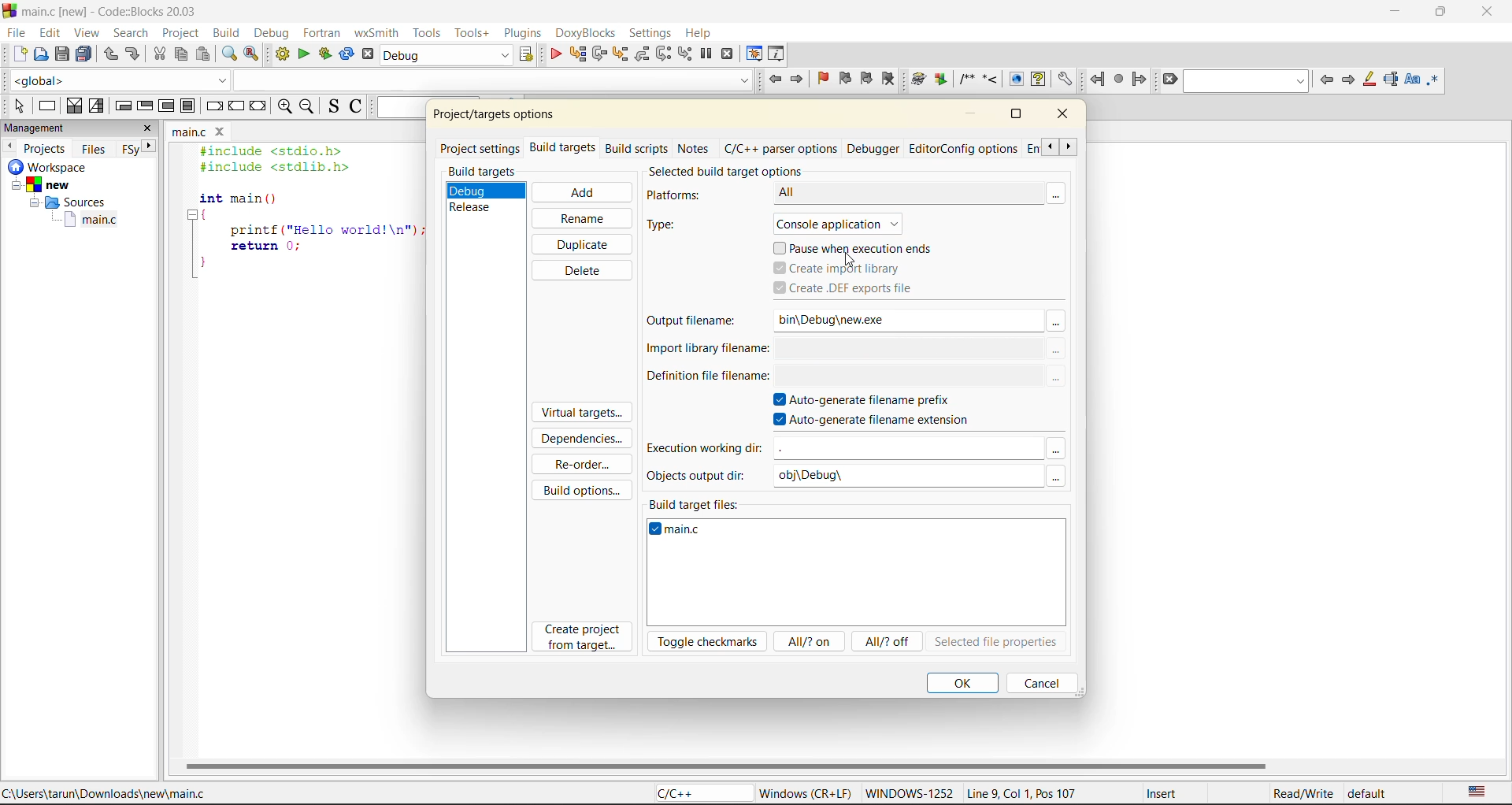 The image size is (1512, 805). Describe the element at coordinates (1039, 682) in the screenshot. I see `cancel` at that location.